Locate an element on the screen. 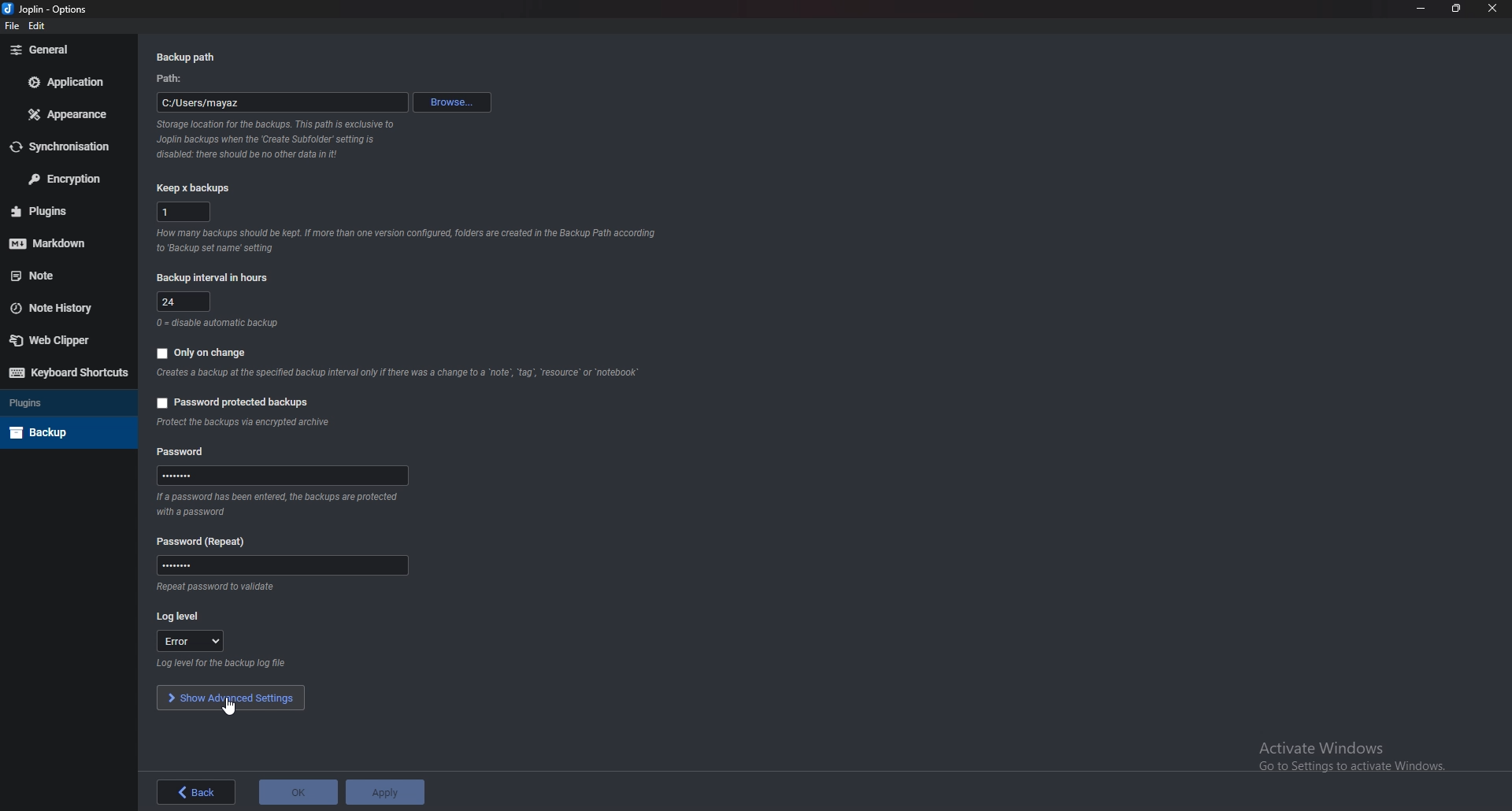 This screenshot has height=811, width=1512. cursor is located at coordinates (231, 705).